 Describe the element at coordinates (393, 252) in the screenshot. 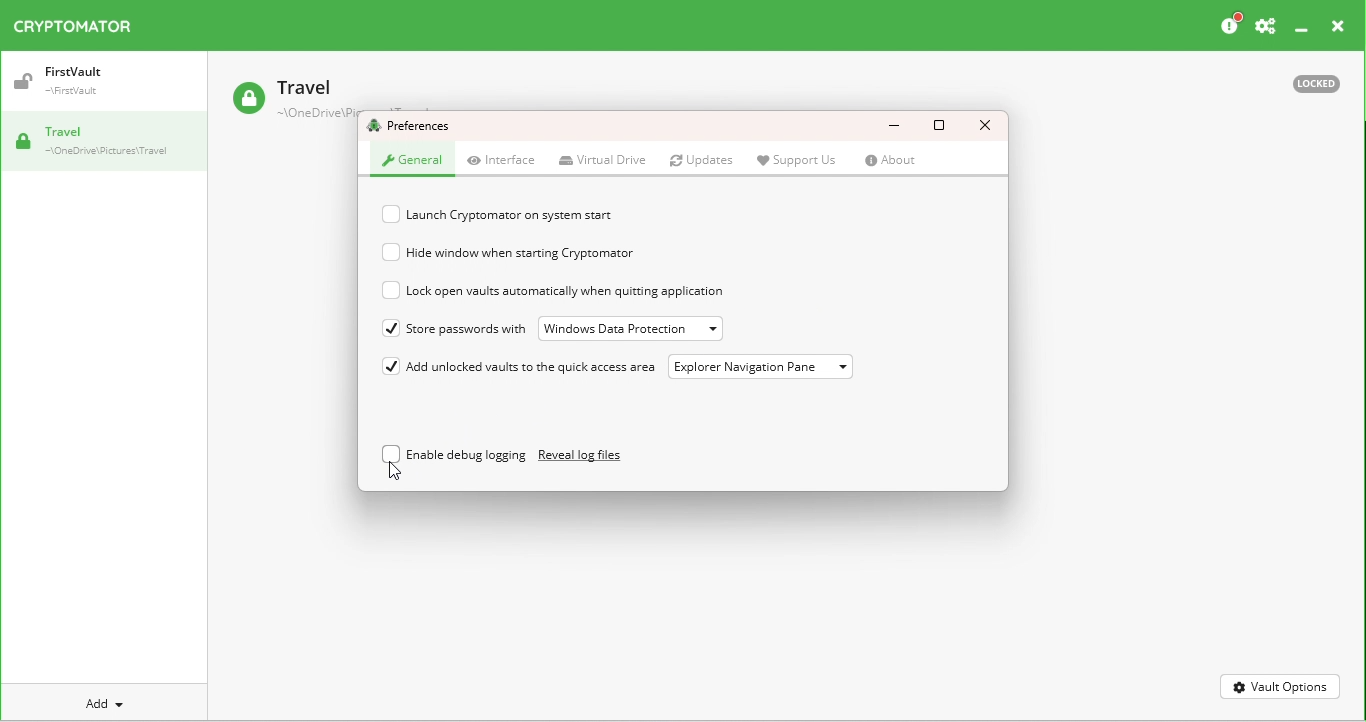

I see `Checkbox` at that location.